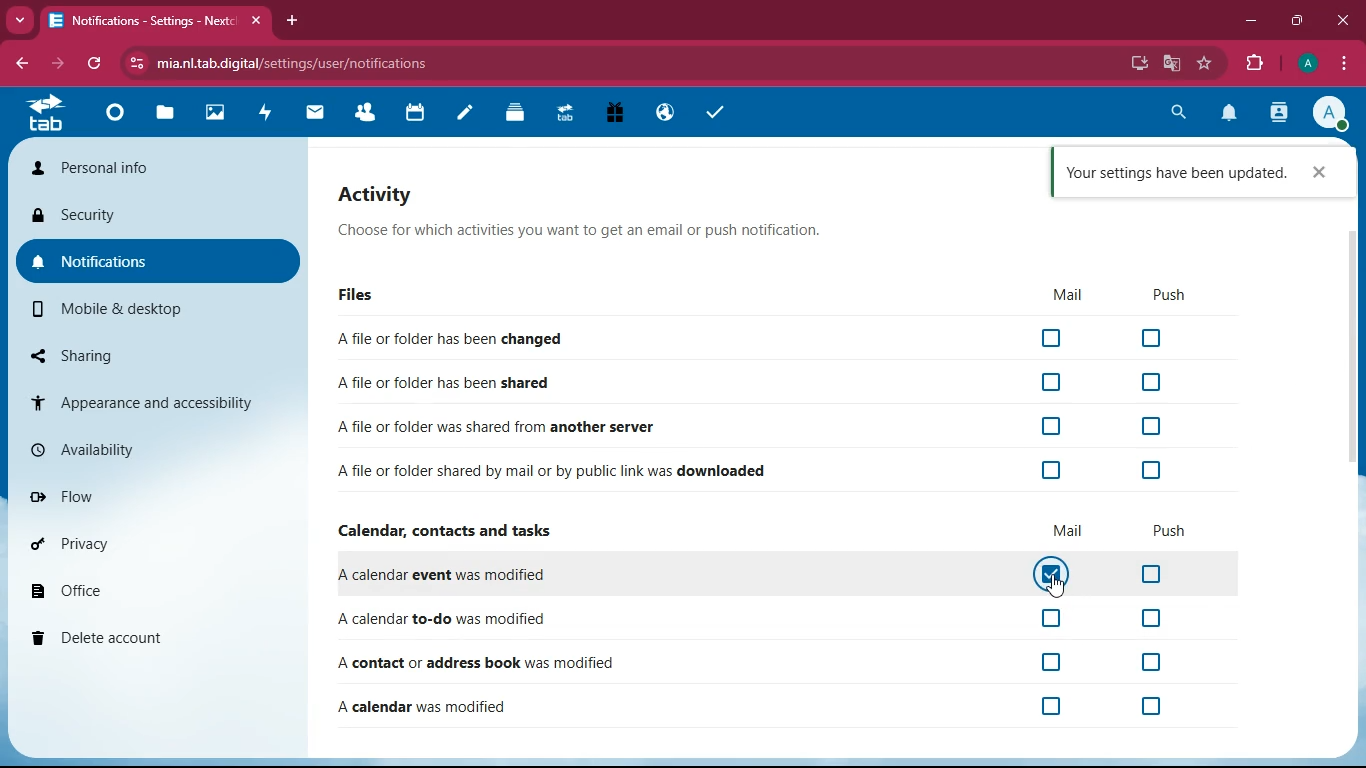 This screenshot has width=1366, height=768. Describe the element at coordinates (751, 708) in the screenshot. I see `A calendar was modified` at that location.